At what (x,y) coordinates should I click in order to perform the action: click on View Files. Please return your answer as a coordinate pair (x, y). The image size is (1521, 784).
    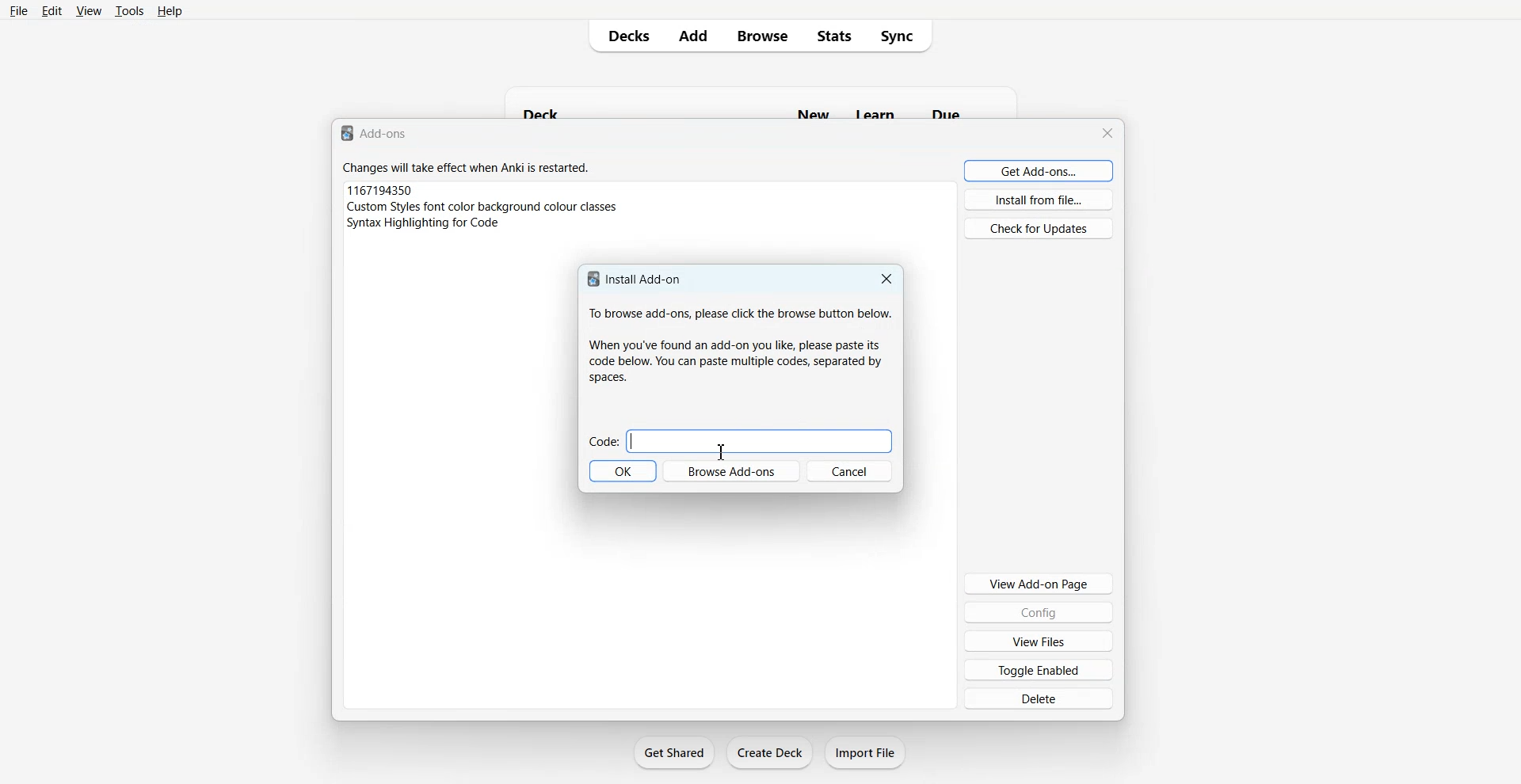
    Looking at the image, I should click on (1039, 641).